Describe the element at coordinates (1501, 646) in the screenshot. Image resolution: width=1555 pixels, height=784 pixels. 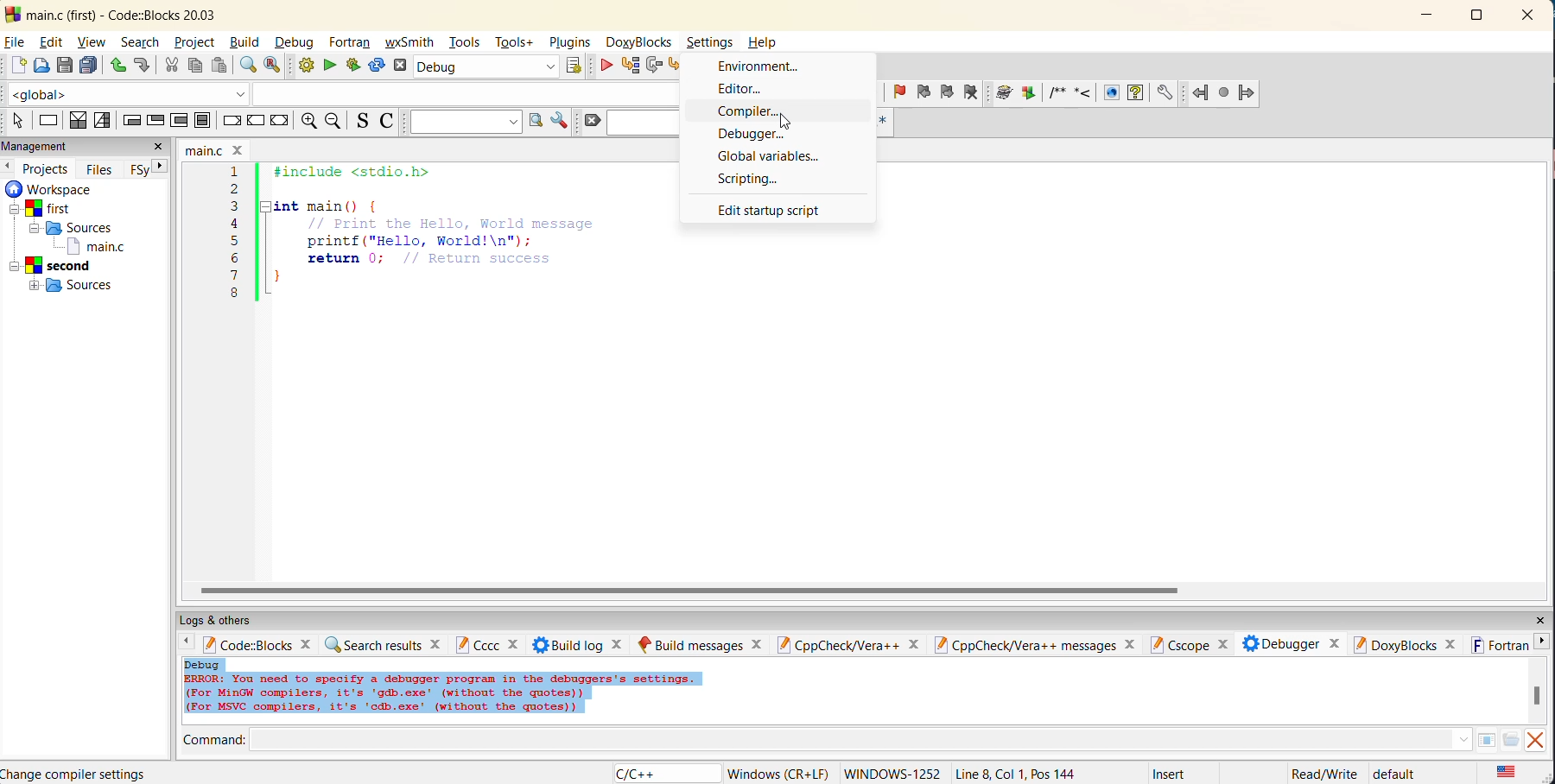
I see `fortran info` at that location.